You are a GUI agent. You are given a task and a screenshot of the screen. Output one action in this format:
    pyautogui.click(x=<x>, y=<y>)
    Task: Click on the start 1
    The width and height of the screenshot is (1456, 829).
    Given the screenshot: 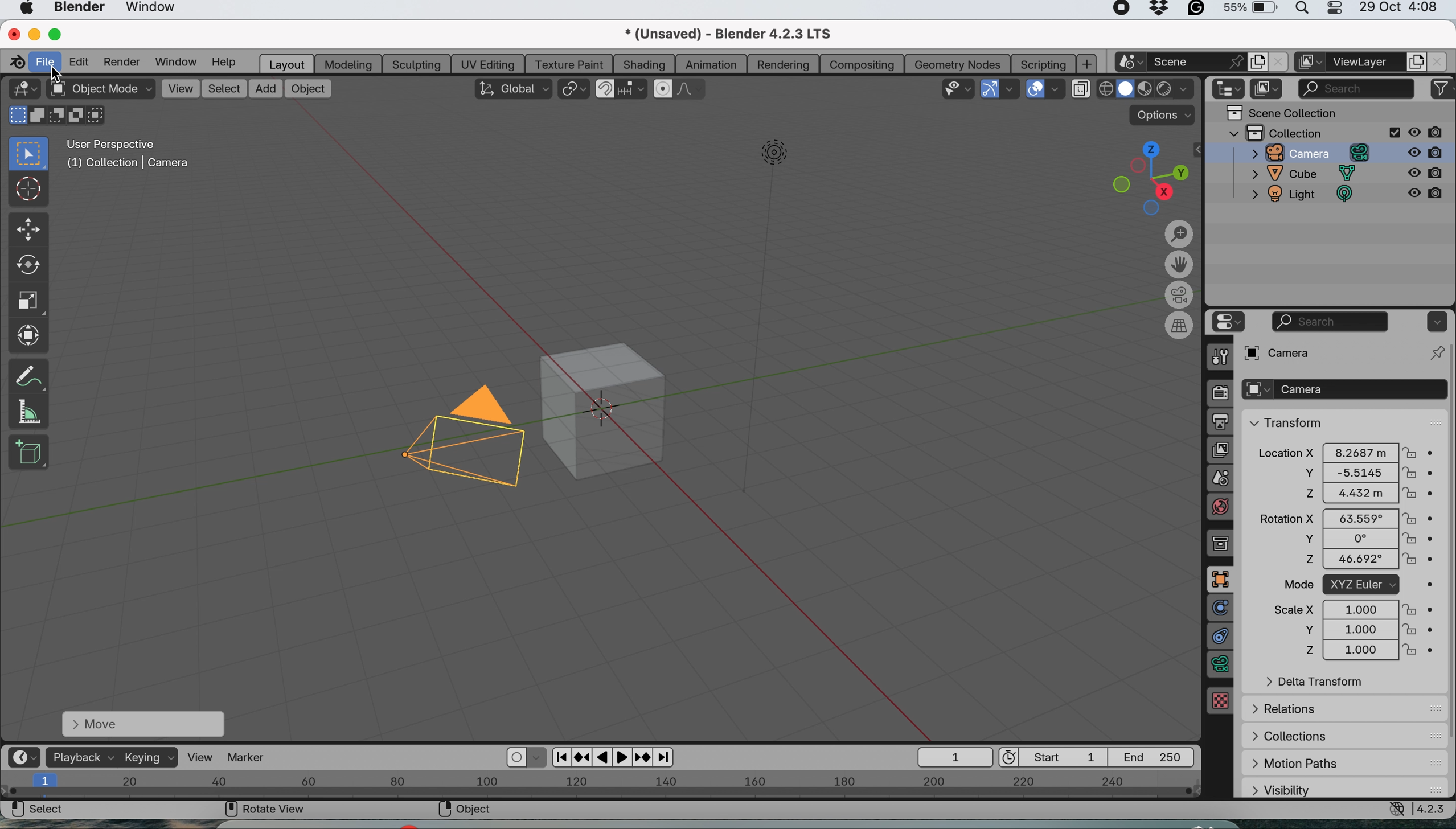 What is the action you would take?
    pyautogui.click(x=1052, y=756)
    